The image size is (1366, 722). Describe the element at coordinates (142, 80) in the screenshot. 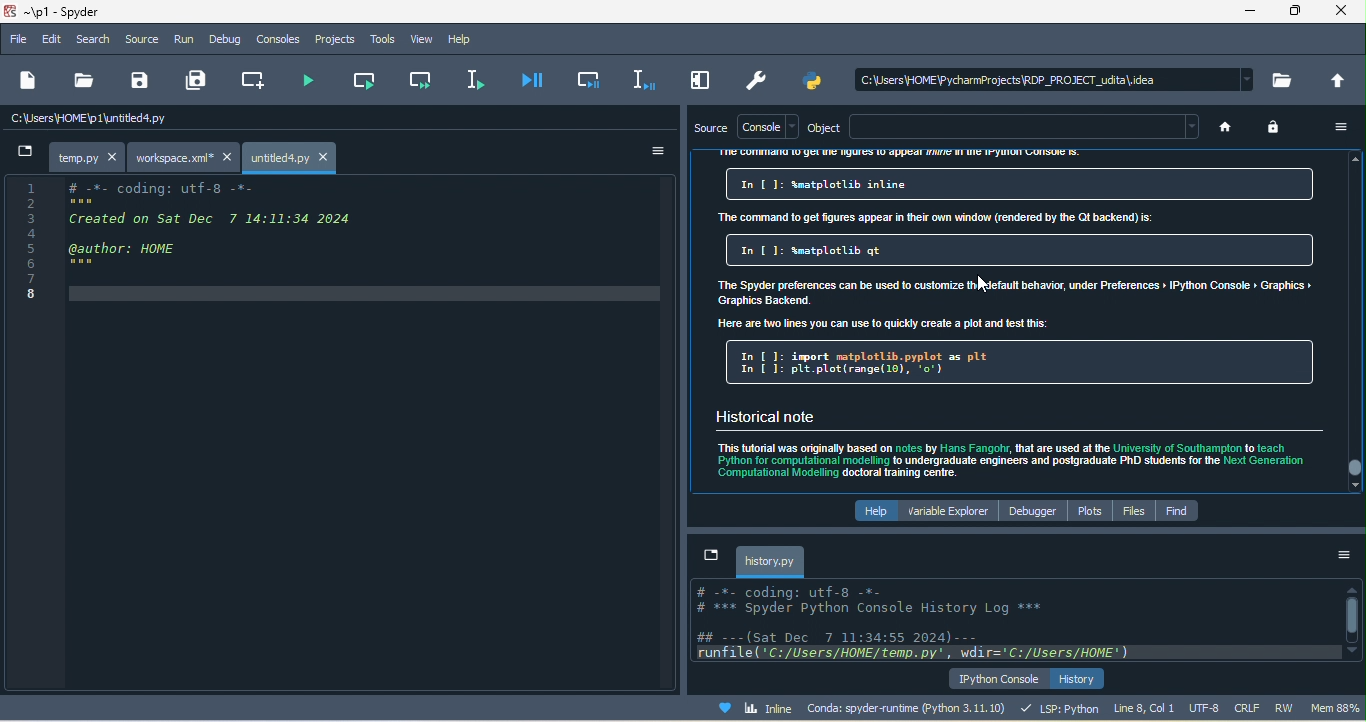

I see `save` at that location.